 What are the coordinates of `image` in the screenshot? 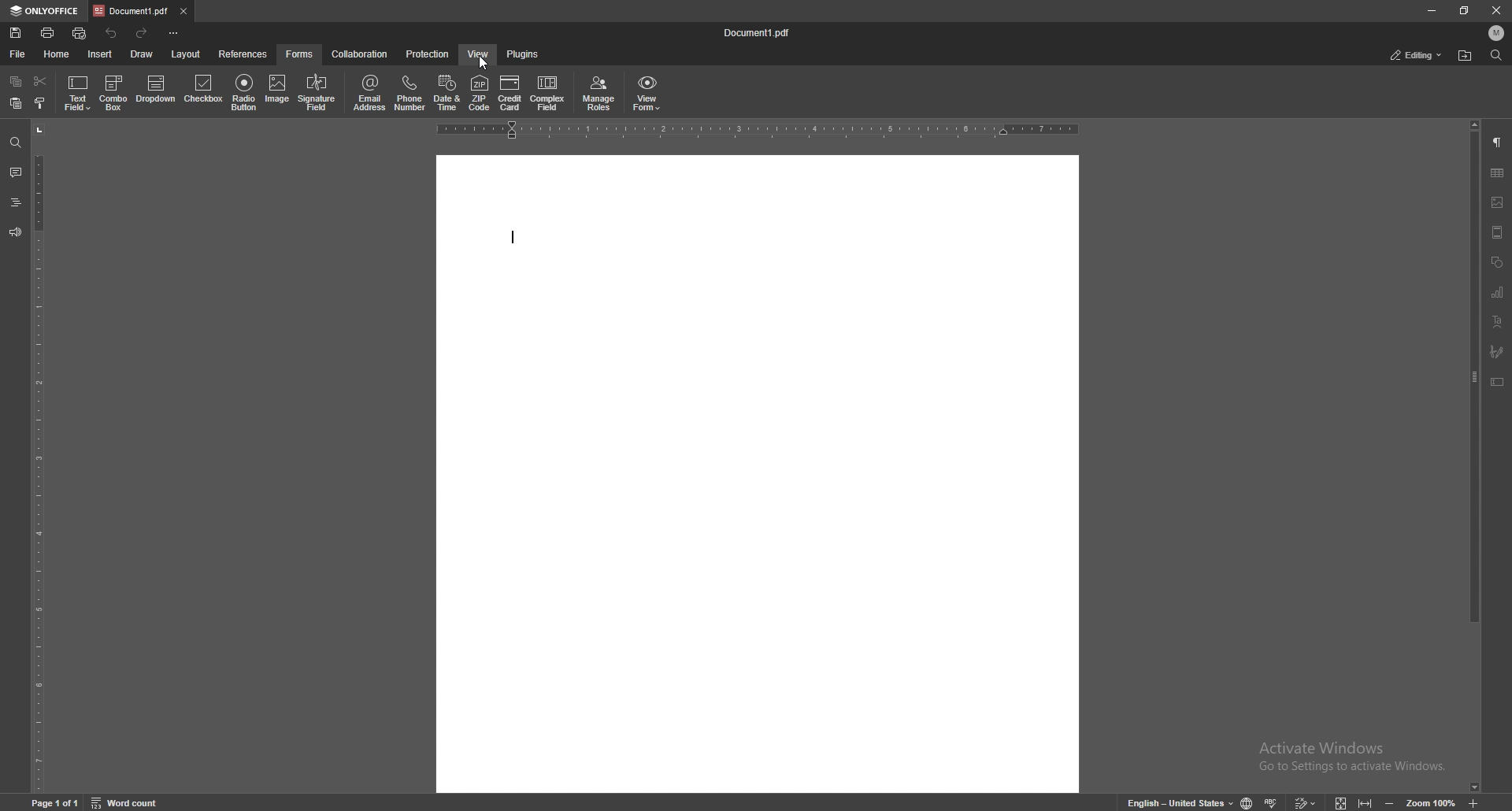 It's located at (279, 92).